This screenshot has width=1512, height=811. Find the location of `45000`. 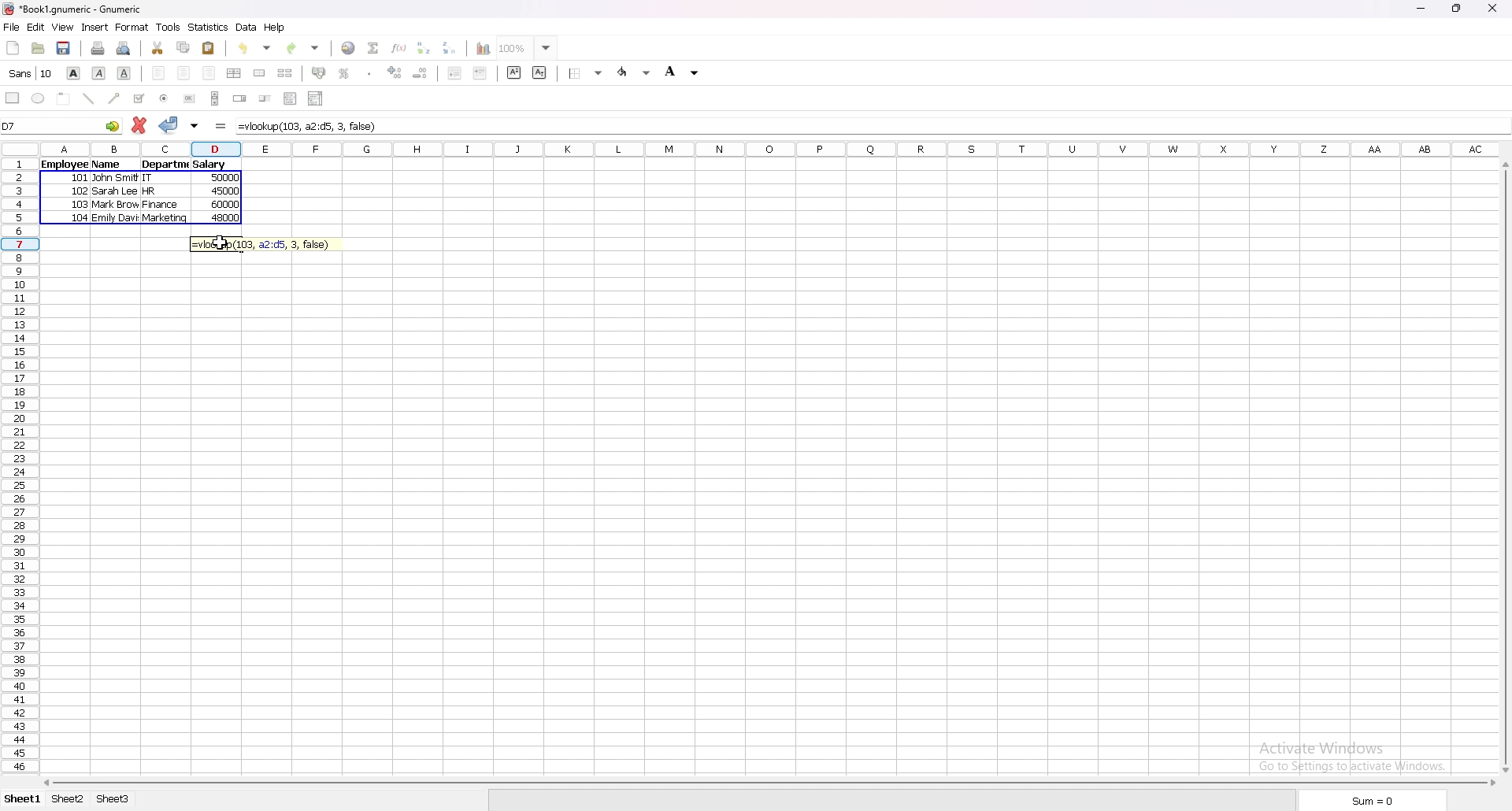

45000 is located at coordinates (228, 194).